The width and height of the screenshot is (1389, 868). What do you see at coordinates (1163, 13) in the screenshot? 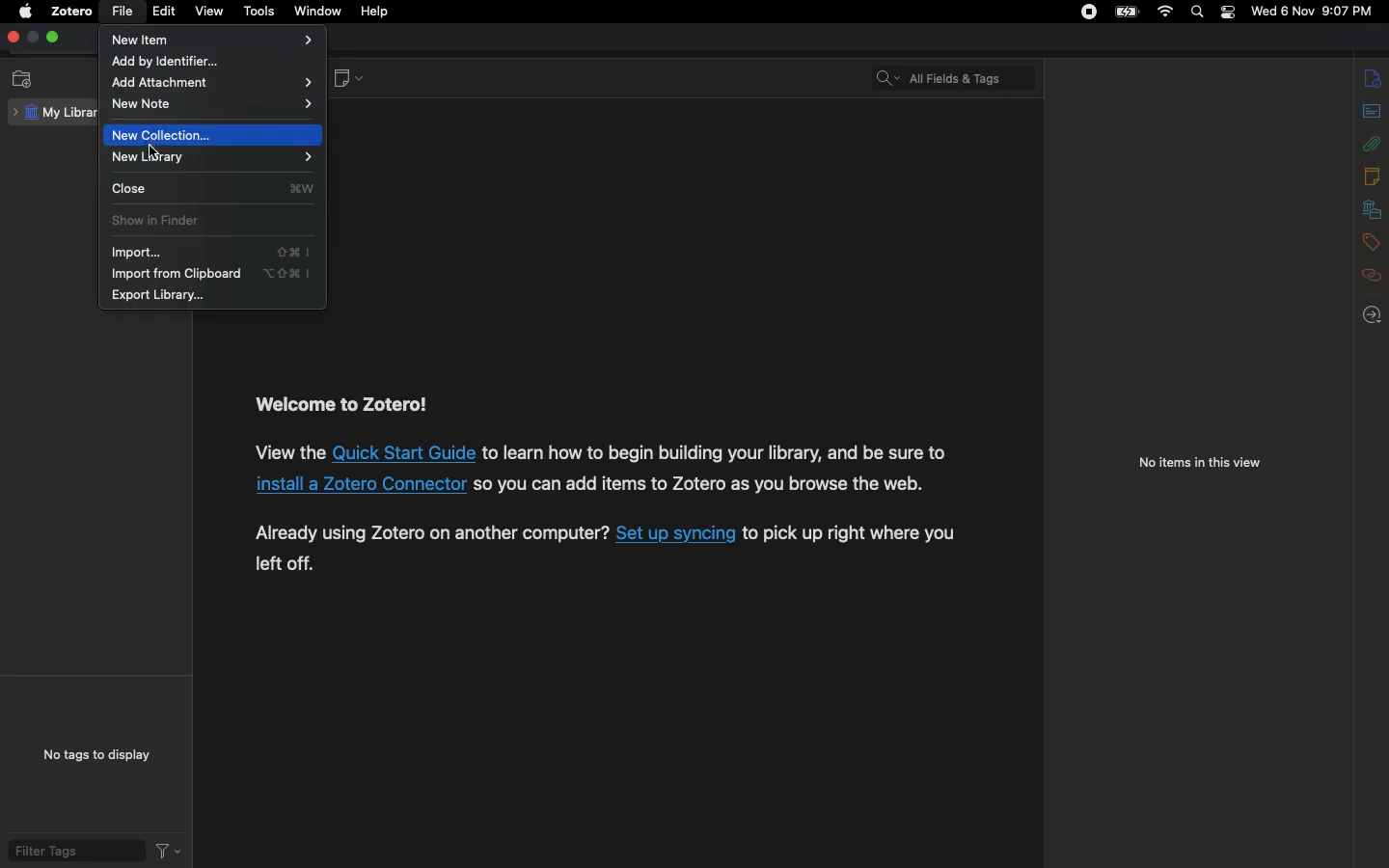
I see `Internet` at bounding box center [1163, 13].